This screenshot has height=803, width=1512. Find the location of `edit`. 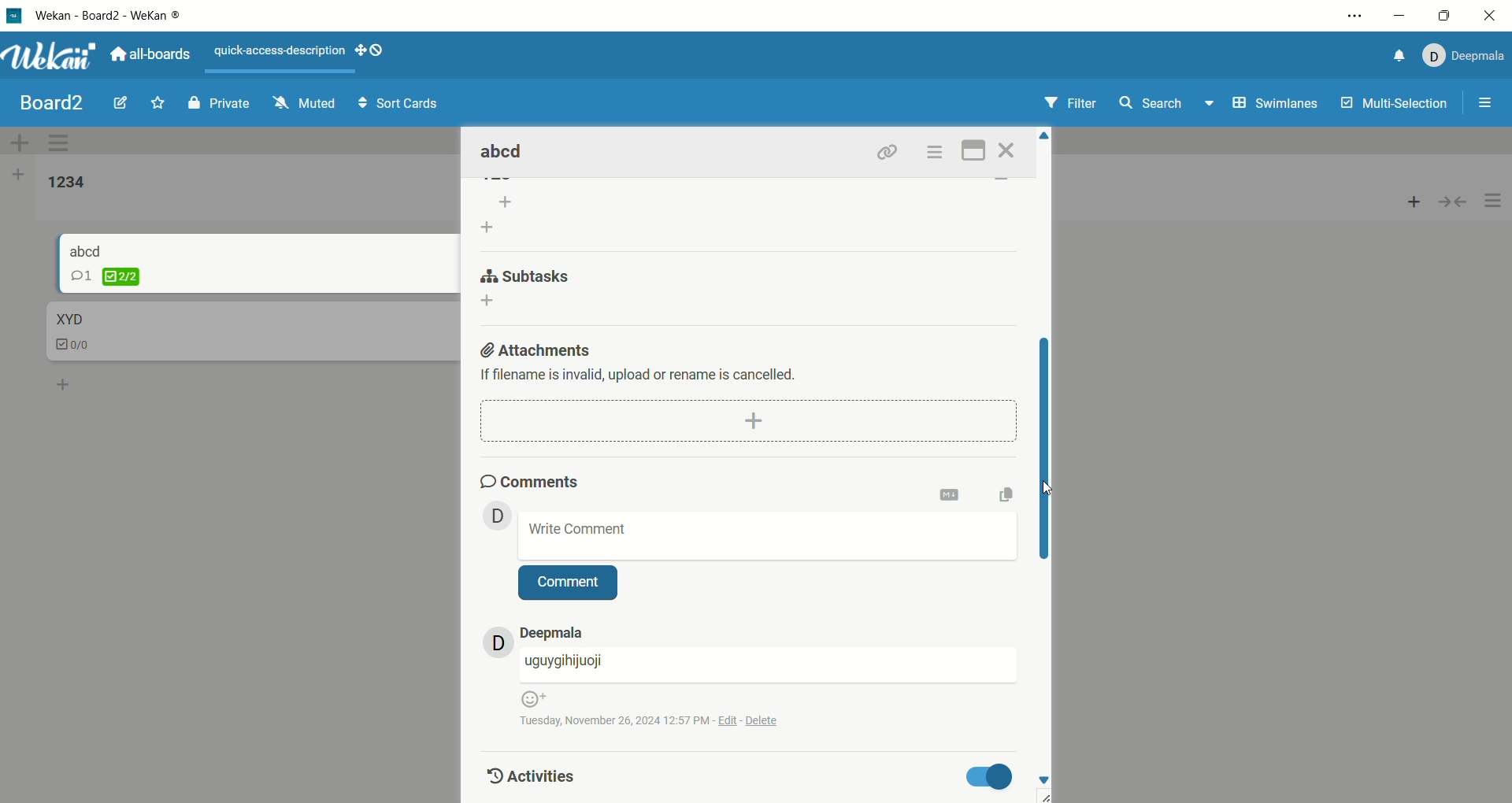

edit is located at coordinates (120, 101).